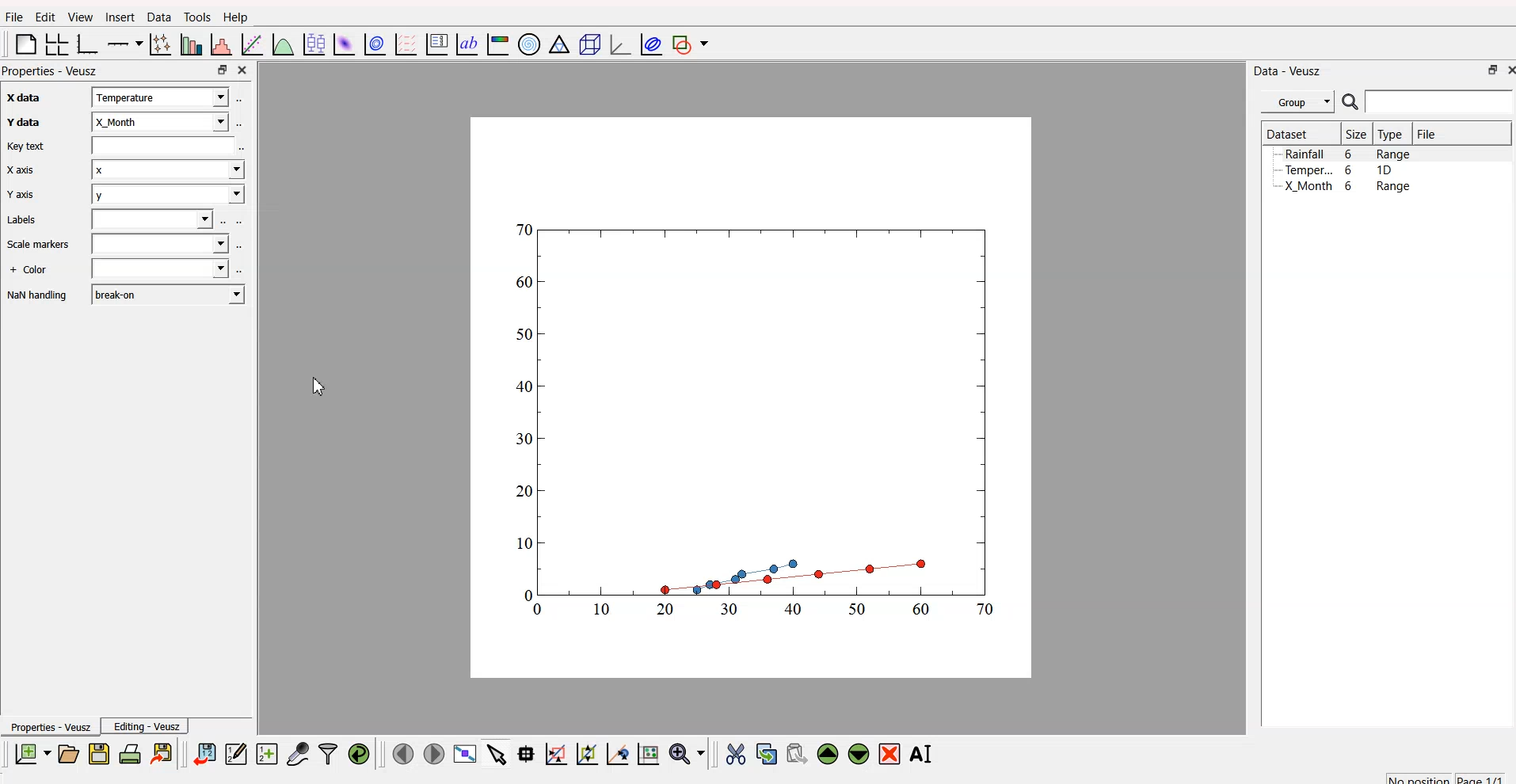  What do you see at coordinates (189, 44) in the screenshot?
I see `plot bar chart` at bounding box center [189, 44].